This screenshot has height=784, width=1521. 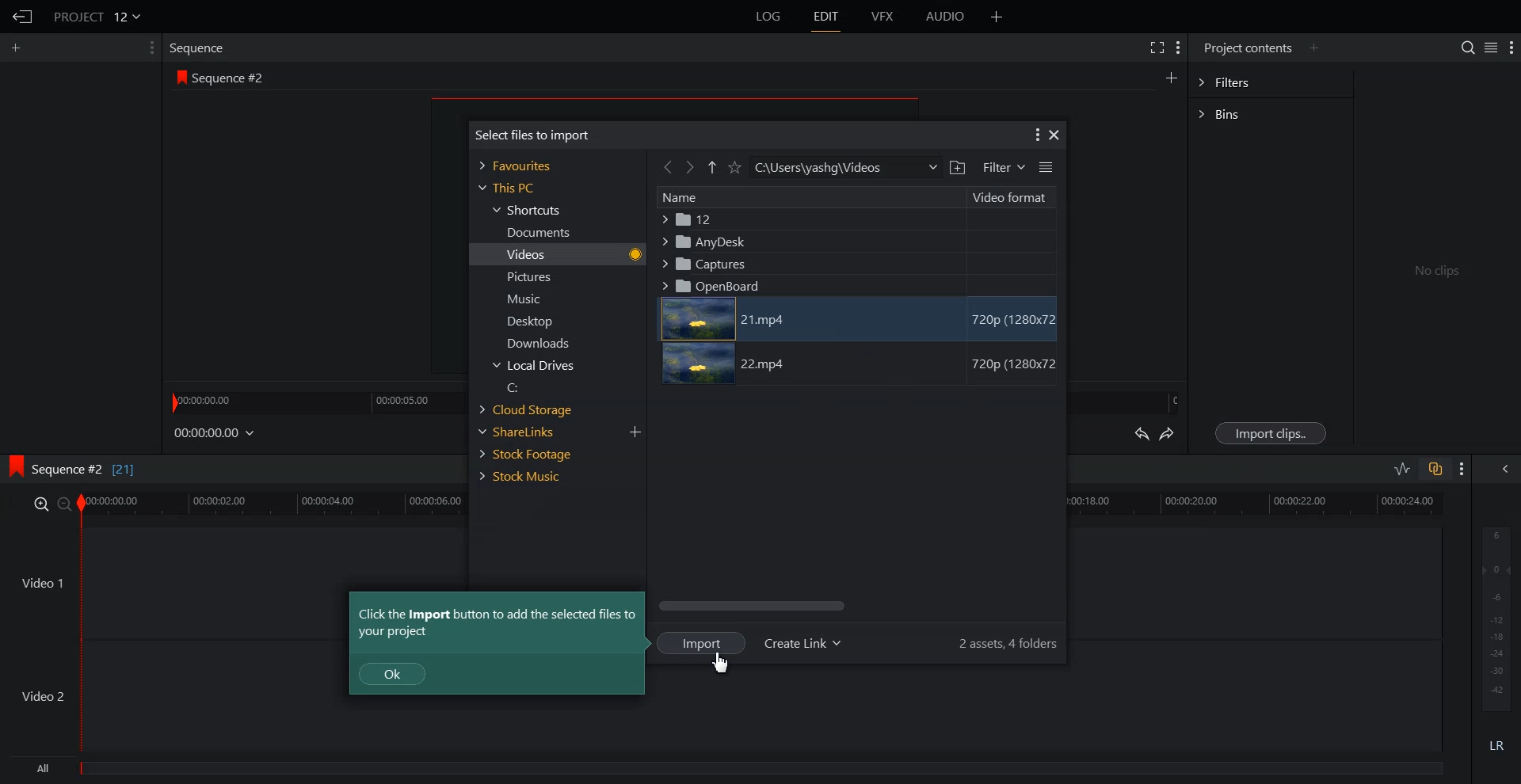 What do you see at coordinates (723, 720) in the screenshot?
I see `Video 2` at bounding box center [723, 720].